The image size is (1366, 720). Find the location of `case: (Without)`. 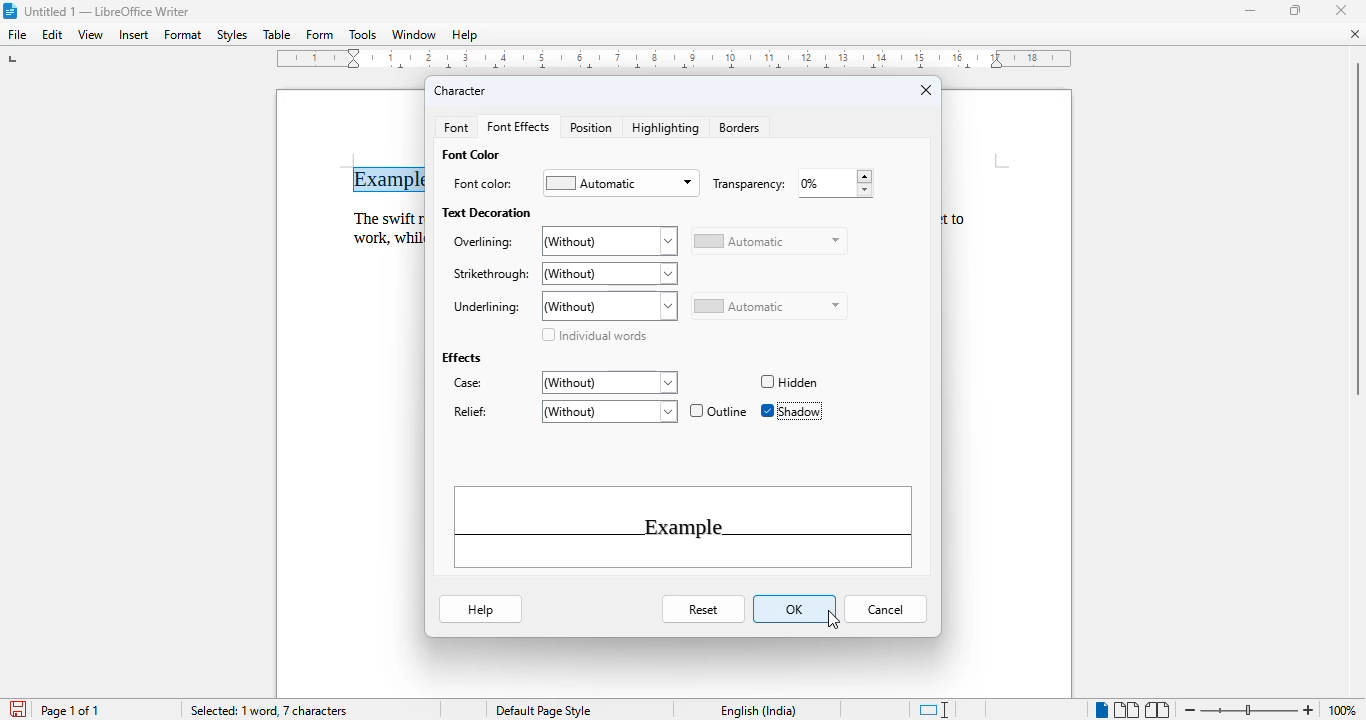

case: (Without) is located at coordinates (563, 383).